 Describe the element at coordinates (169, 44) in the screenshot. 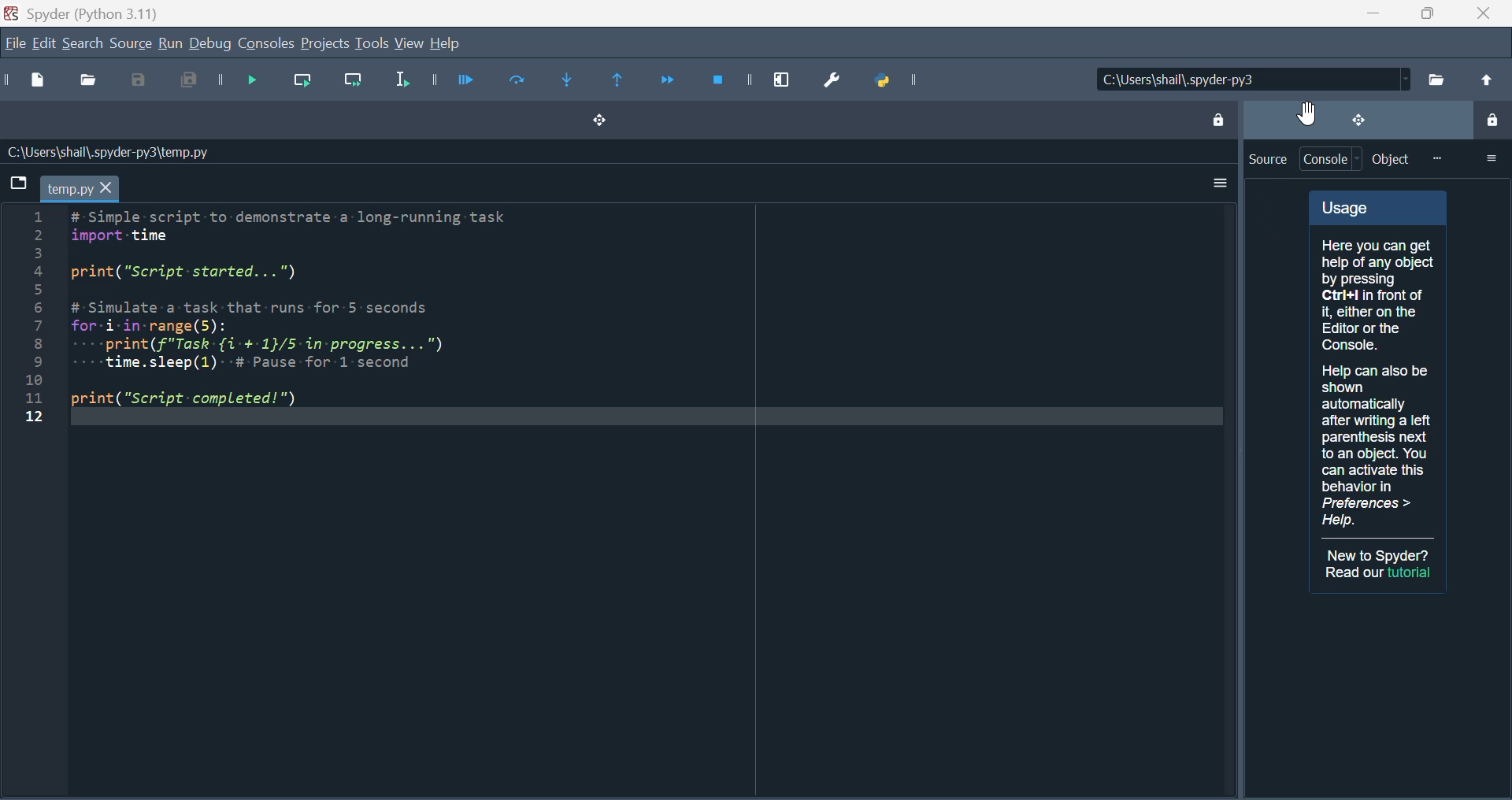

I see `run` at that location.